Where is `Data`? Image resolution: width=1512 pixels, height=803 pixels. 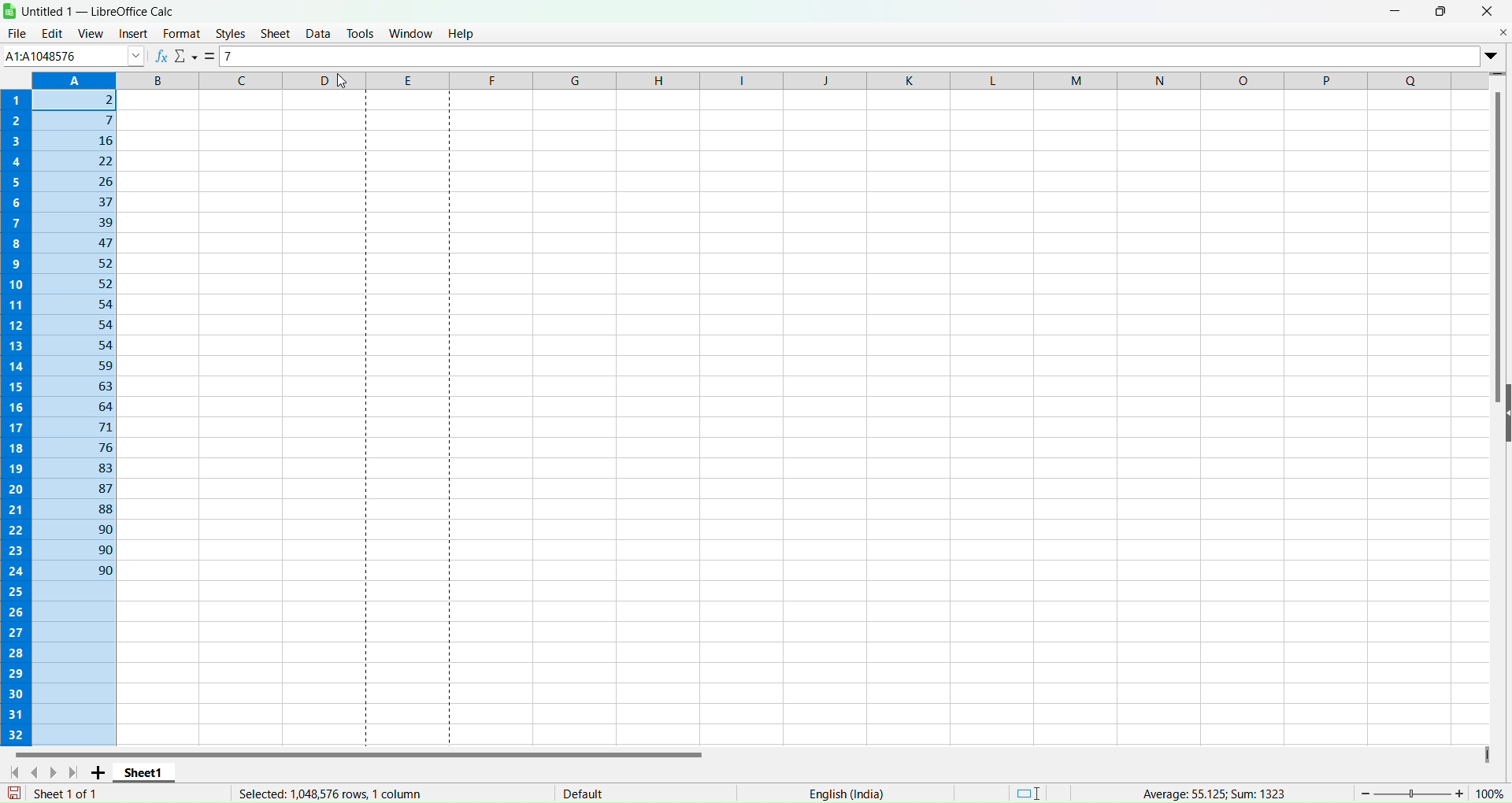 Data is located at coordinates (318, 32).